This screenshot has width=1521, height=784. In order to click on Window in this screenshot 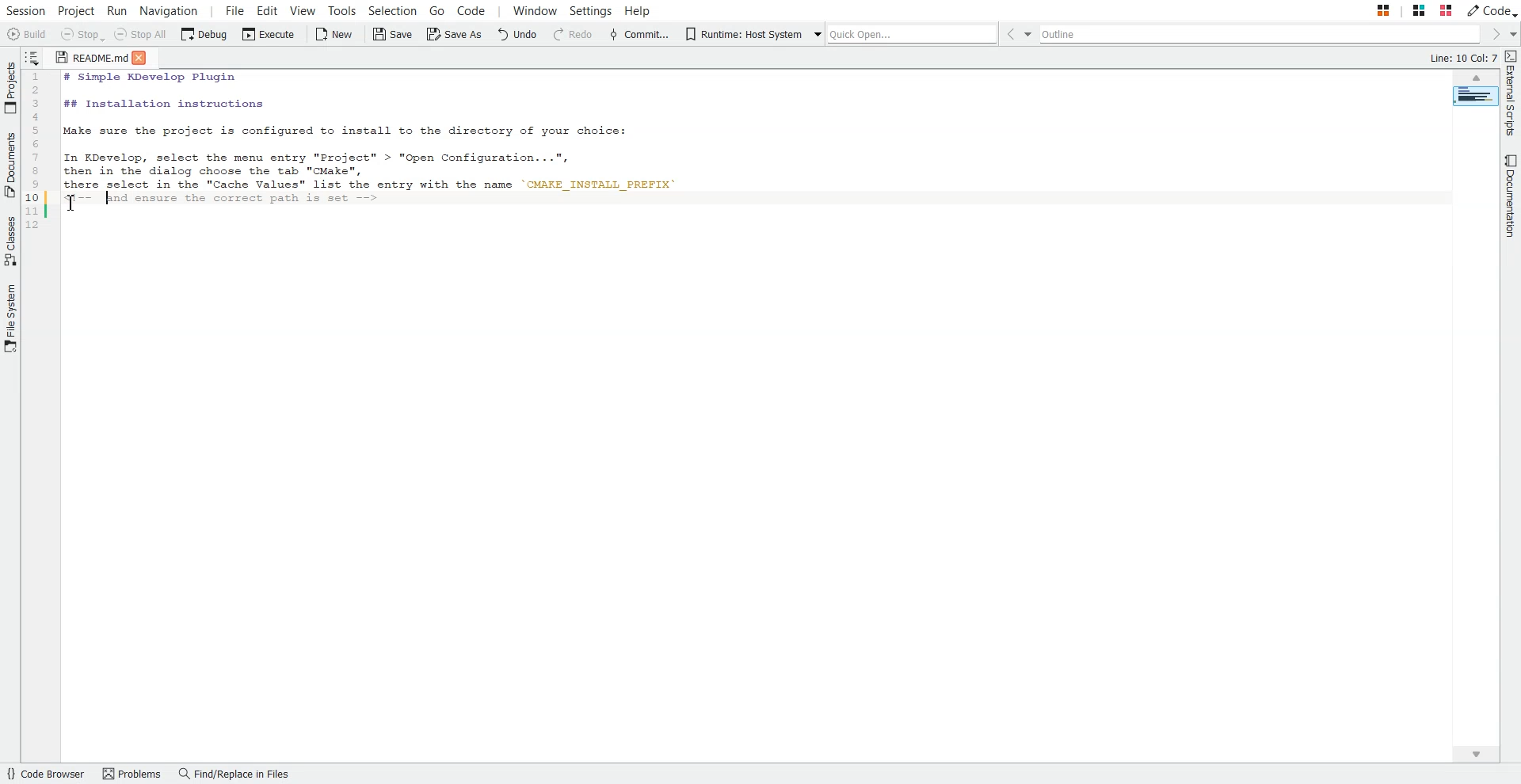, I will do `click(535, 10)`.